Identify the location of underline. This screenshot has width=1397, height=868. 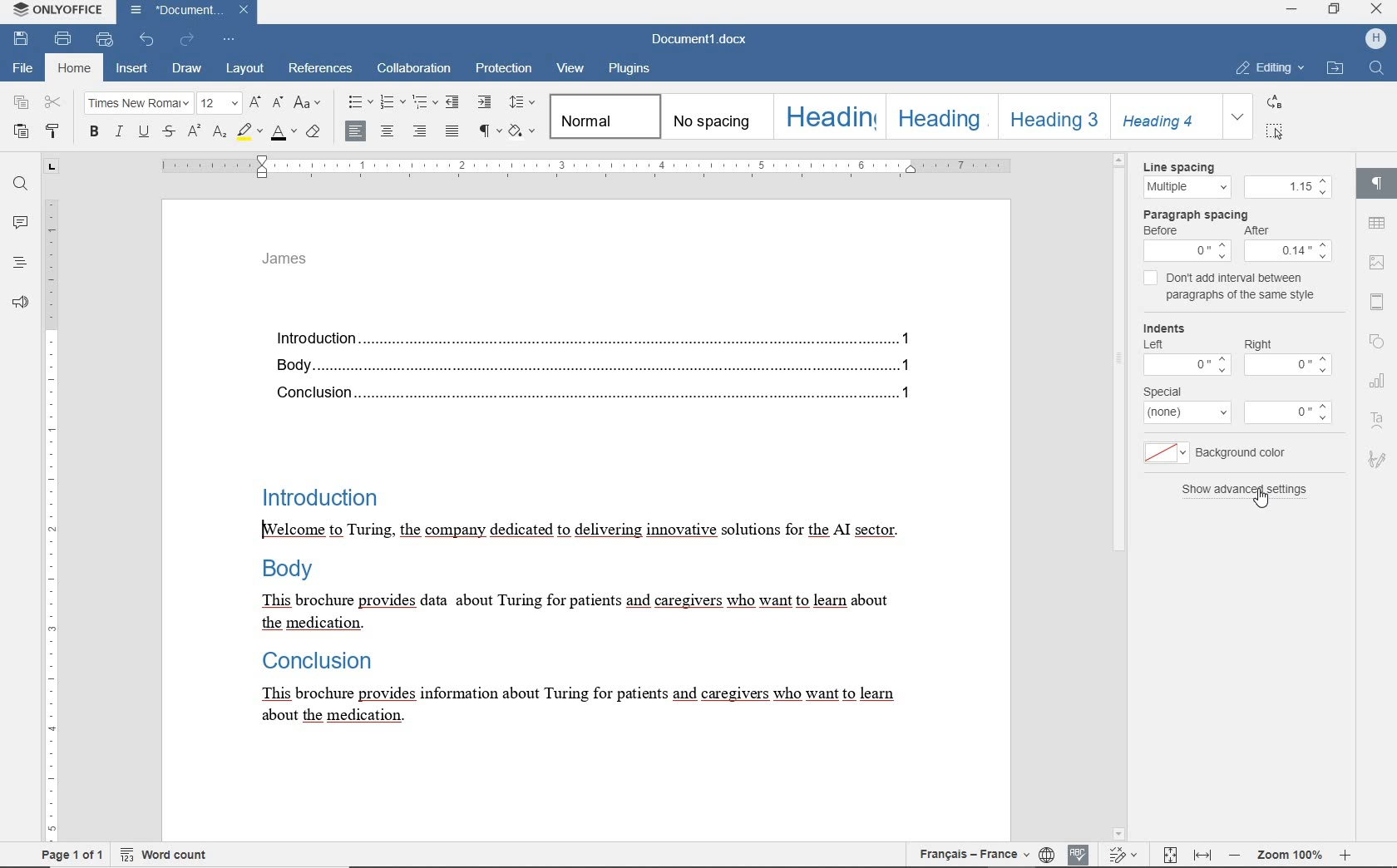
(146, 133).